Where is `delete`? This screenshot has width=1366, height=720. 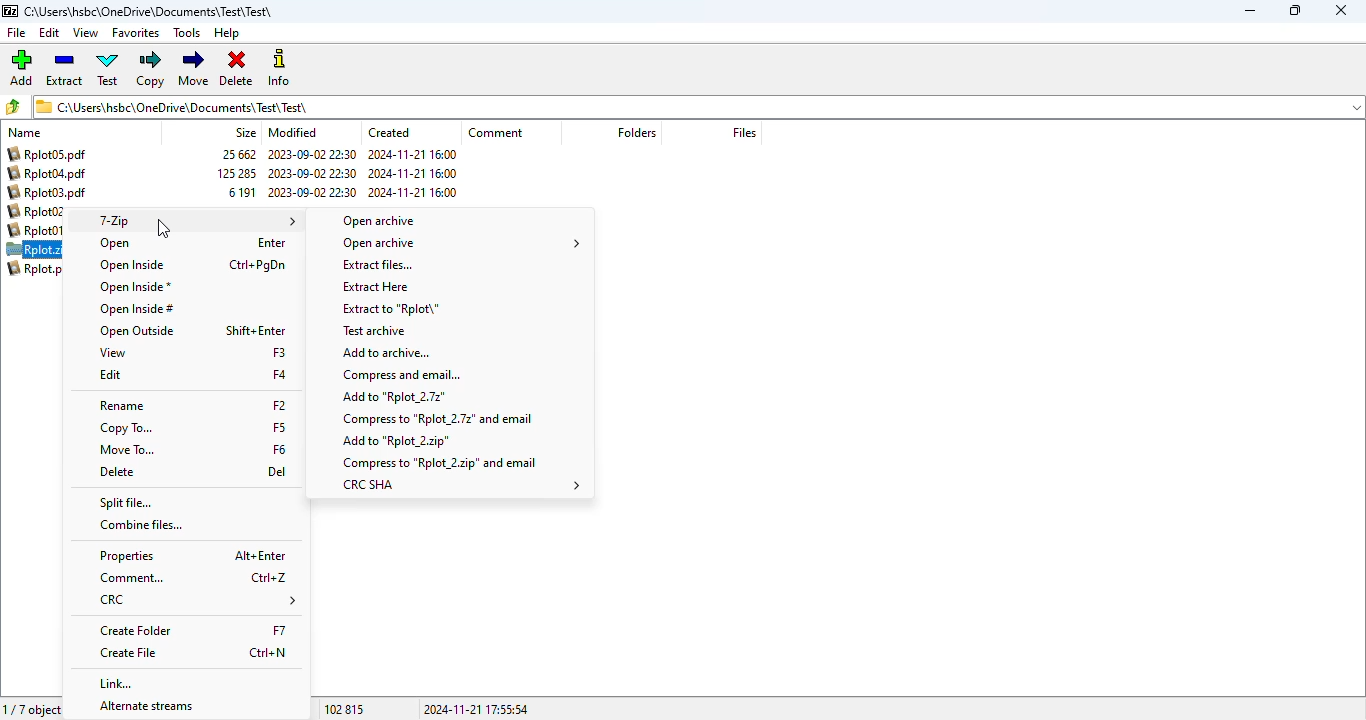 delete is located at coordinates (116, 471).